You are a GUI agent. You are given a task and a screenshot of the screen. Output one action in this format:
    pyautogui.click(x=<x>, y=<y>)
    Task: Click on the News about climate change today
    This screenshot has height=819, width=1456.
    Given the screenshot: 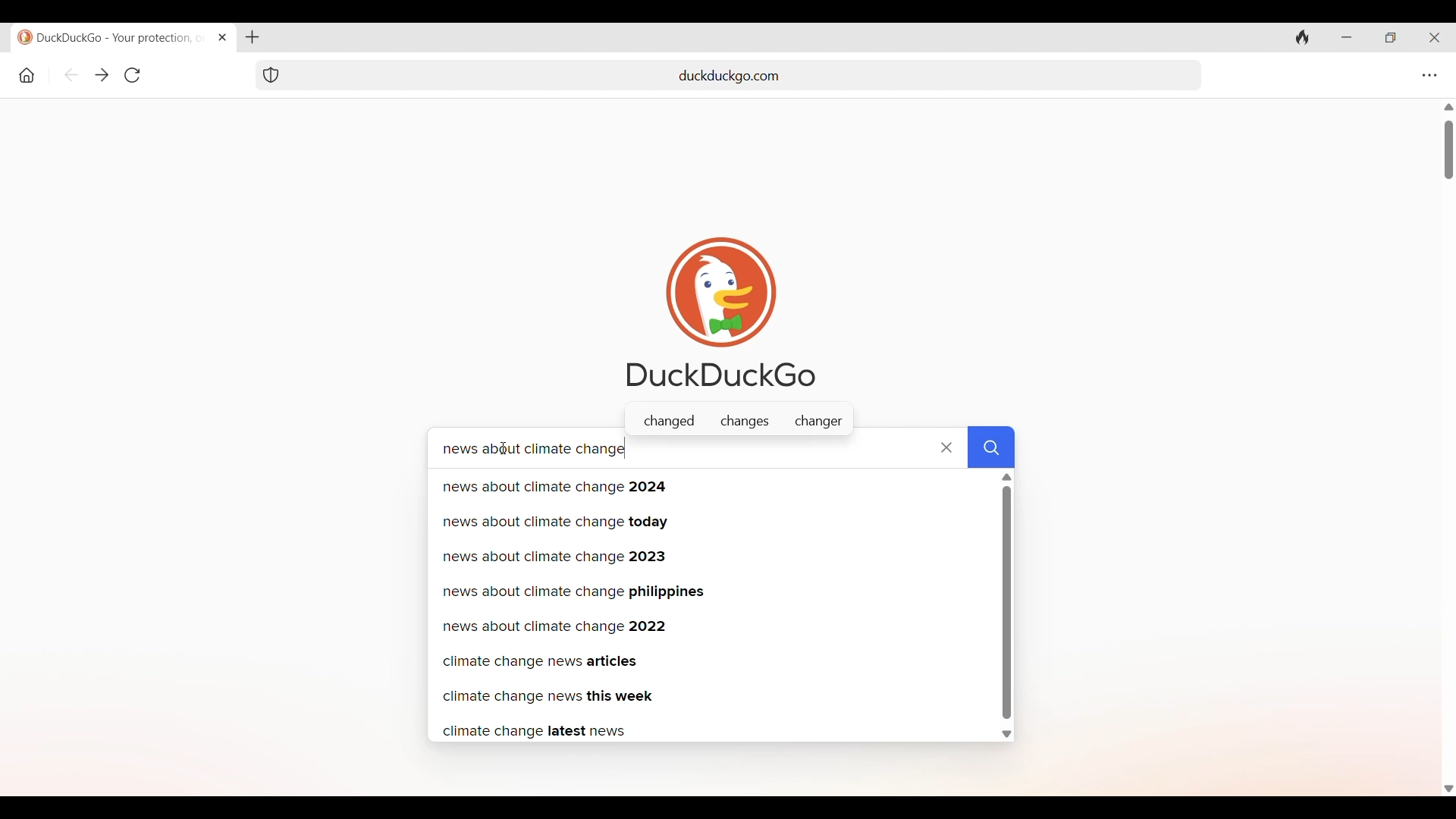 What is the action you would take?
    pyautogui.click(x=713, y=519)
    